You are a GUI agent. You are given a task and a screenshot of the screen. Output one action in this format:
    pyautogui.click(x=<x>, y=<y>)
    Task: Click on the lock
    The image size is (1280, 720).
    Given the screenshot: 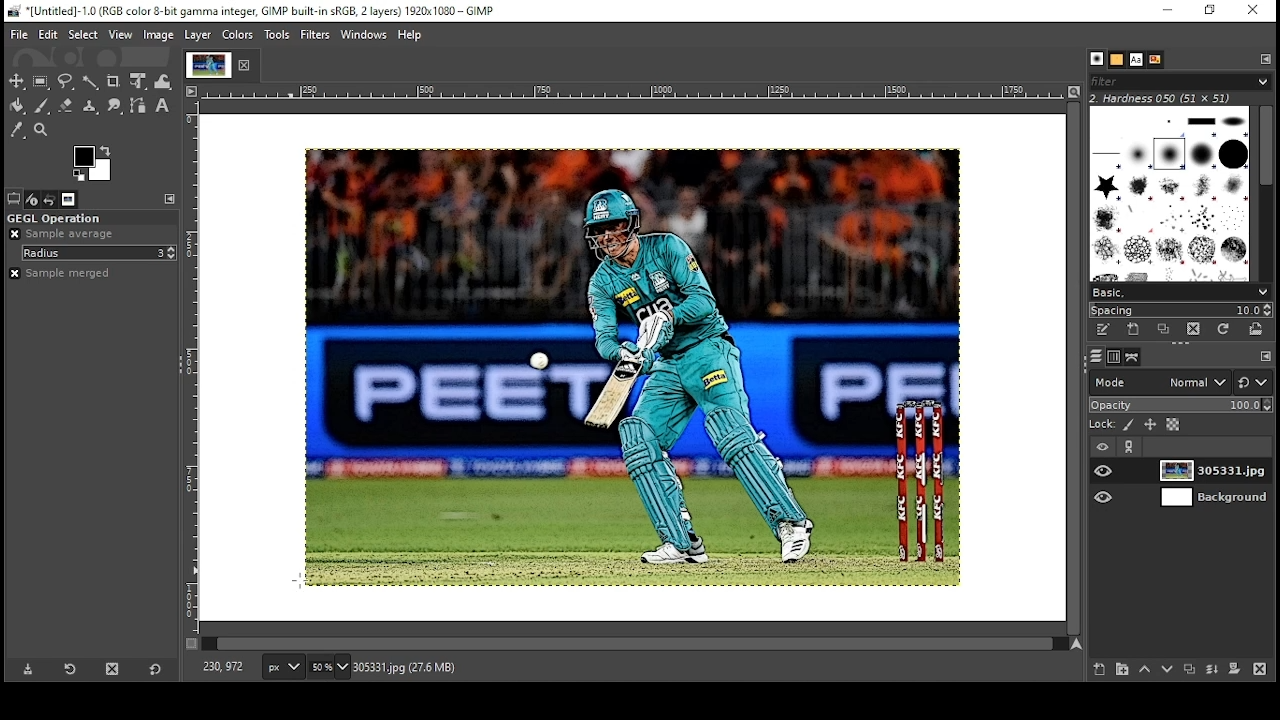 What is the action you would take?
    pyautogui.click(x=1103, y=424)
    